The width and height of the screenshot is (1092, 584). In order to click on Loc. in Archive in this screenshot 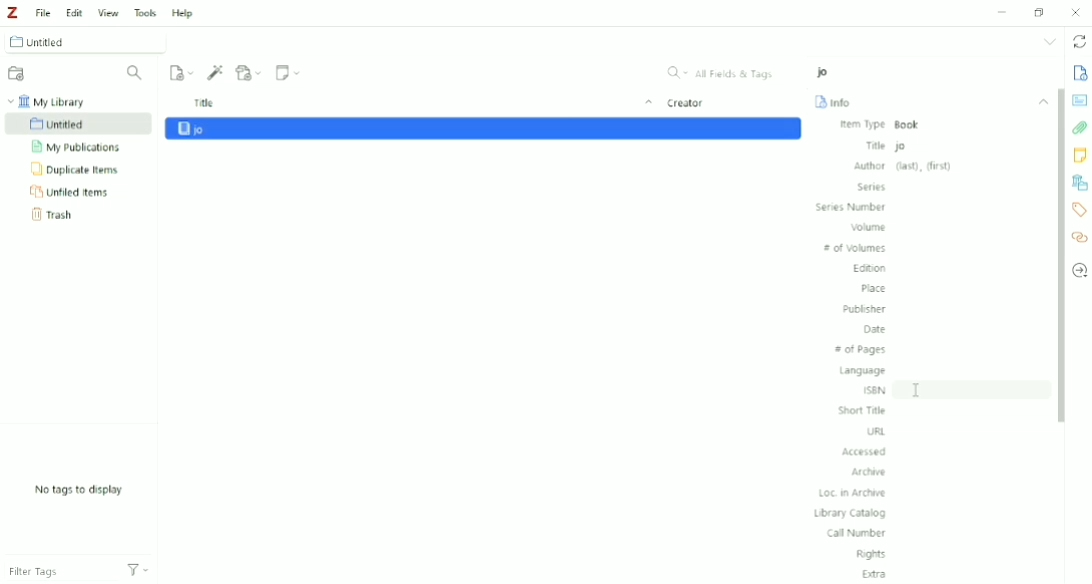, I will do `click(853, 494)`.